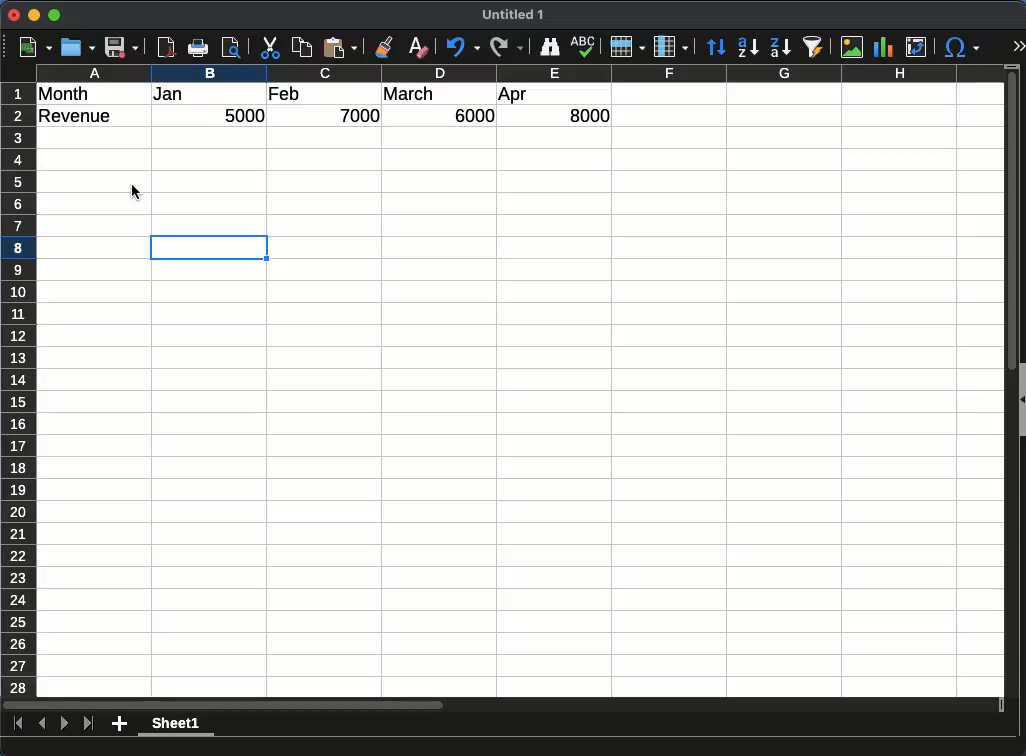 The image size is (1026, 756). What do you see at coordinates (76, 116) in the screenshot?
I see `revenue ` at bounding box center [76, 116].